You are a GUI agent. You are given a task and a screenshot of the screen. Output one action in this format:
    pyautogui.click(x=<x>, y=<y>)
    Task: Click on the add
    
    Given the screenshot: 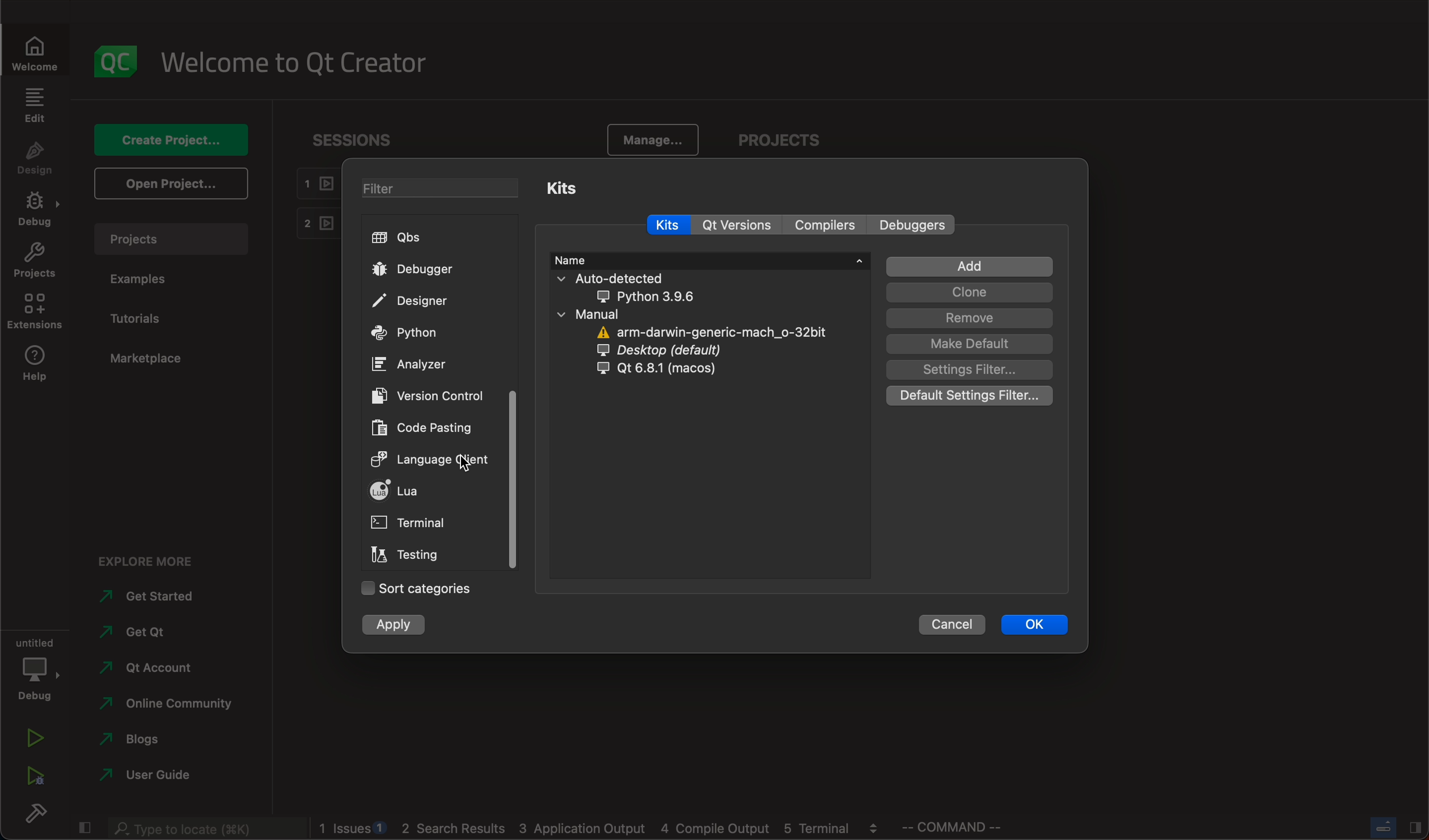 What is the action you would take?
    pyautogui.click(x=970, y=266)
    